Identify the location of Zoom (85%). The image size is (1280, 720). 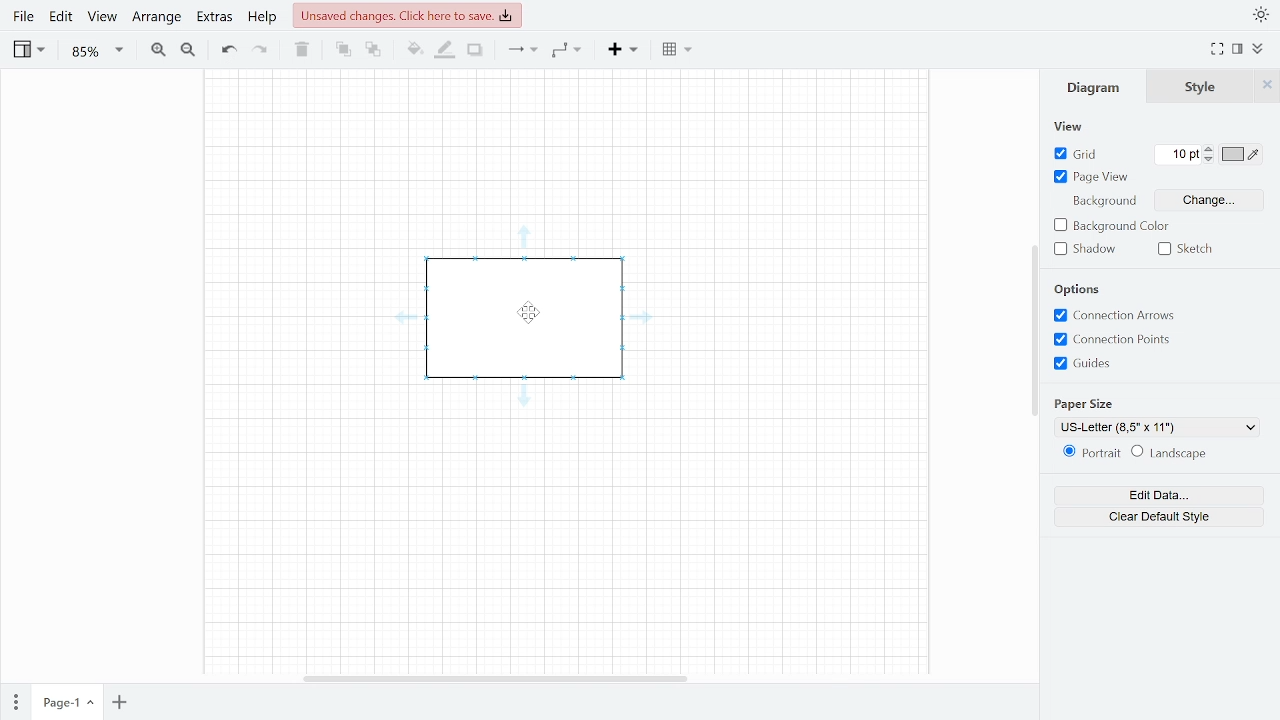
(94, 52).